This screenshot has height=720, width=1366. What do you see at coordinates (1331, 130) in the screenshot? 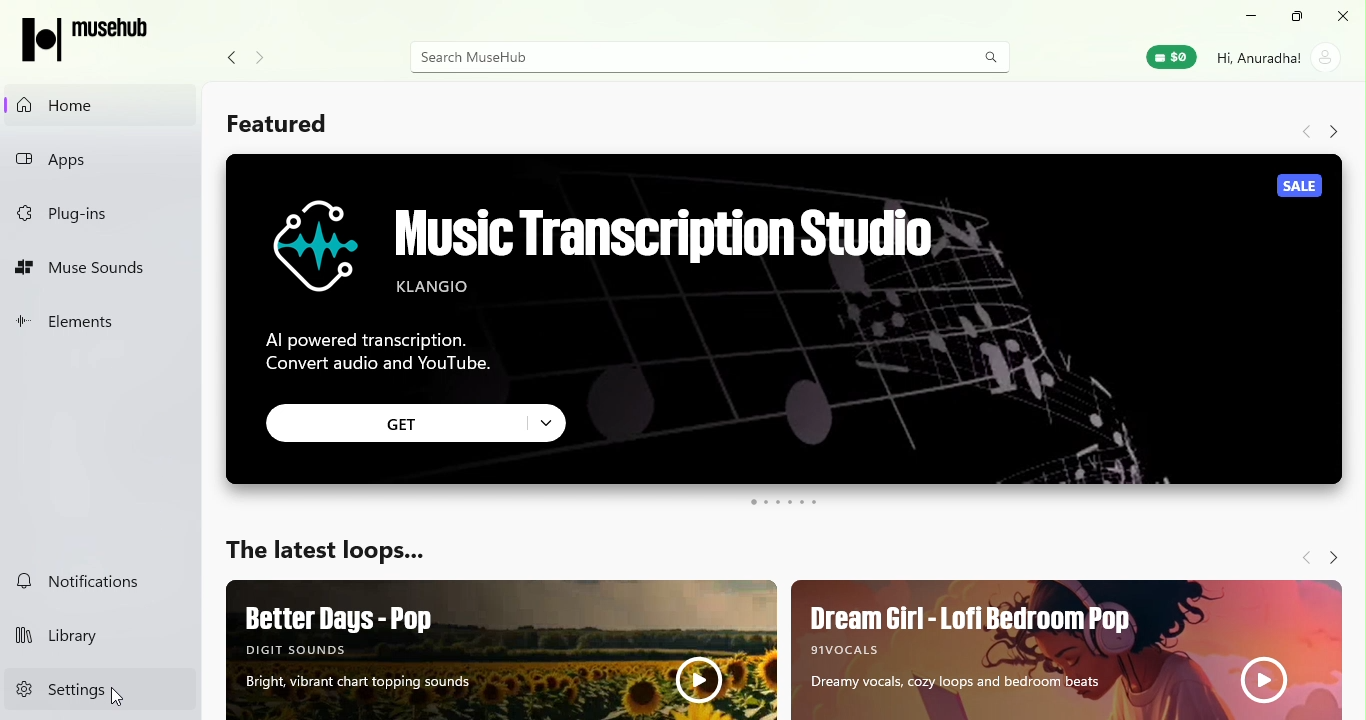
I see `Navigate forward` at bounding box center [1331, 130].